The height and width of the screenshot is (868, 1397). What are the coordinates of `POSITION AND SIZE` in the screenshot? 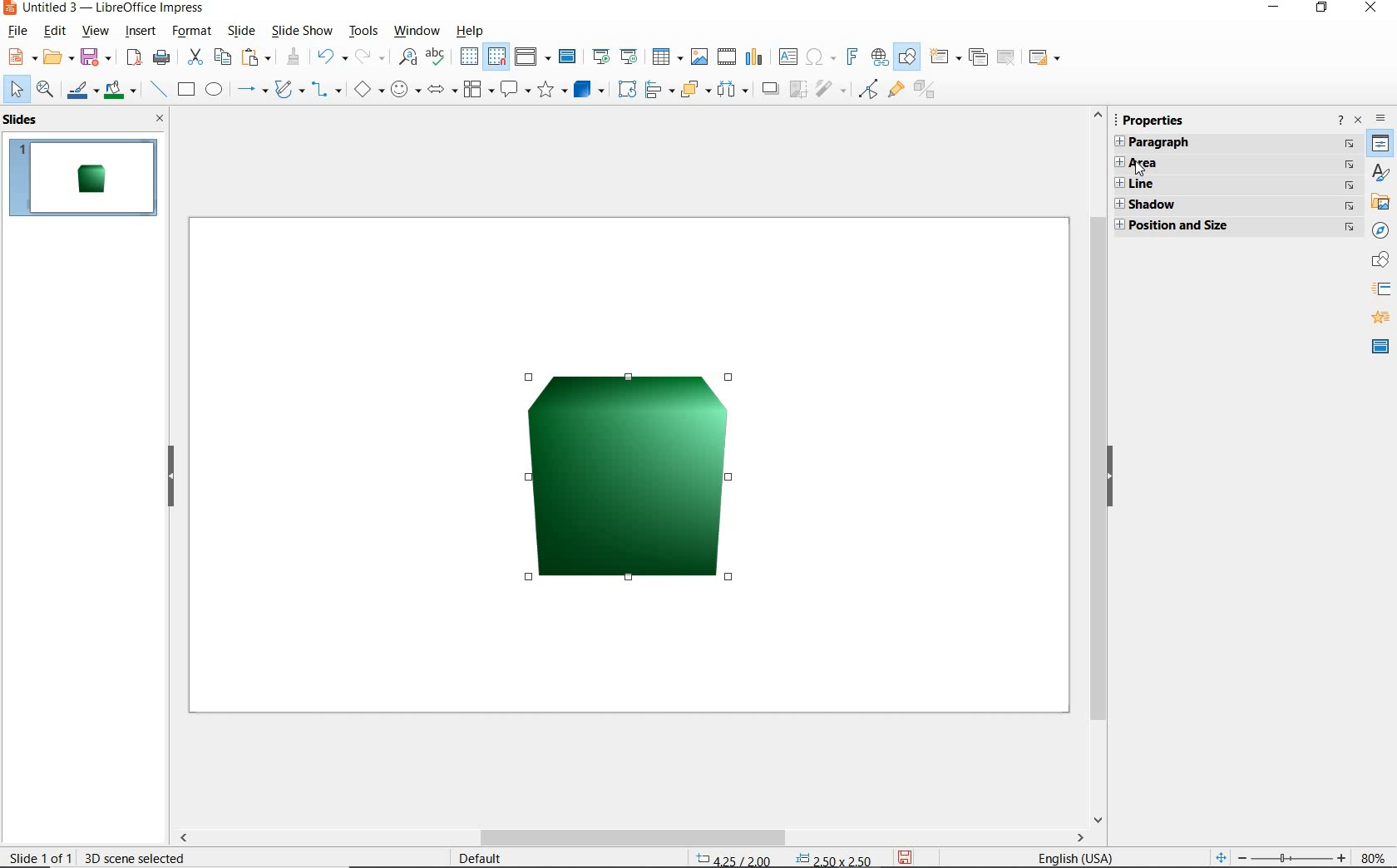 It's located at (1232, 225).